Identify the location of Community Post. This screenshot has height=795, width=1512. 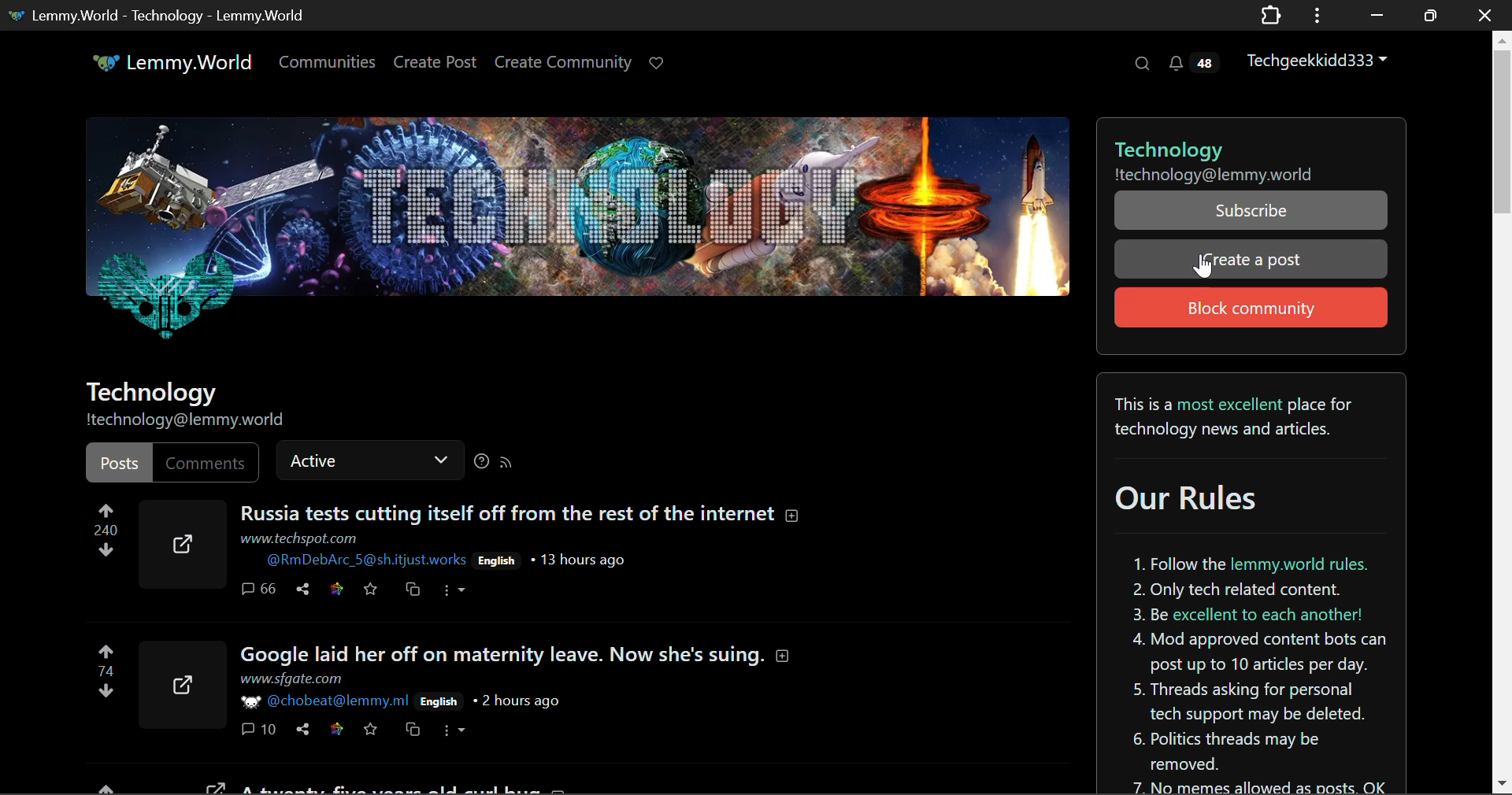
(477, 788).